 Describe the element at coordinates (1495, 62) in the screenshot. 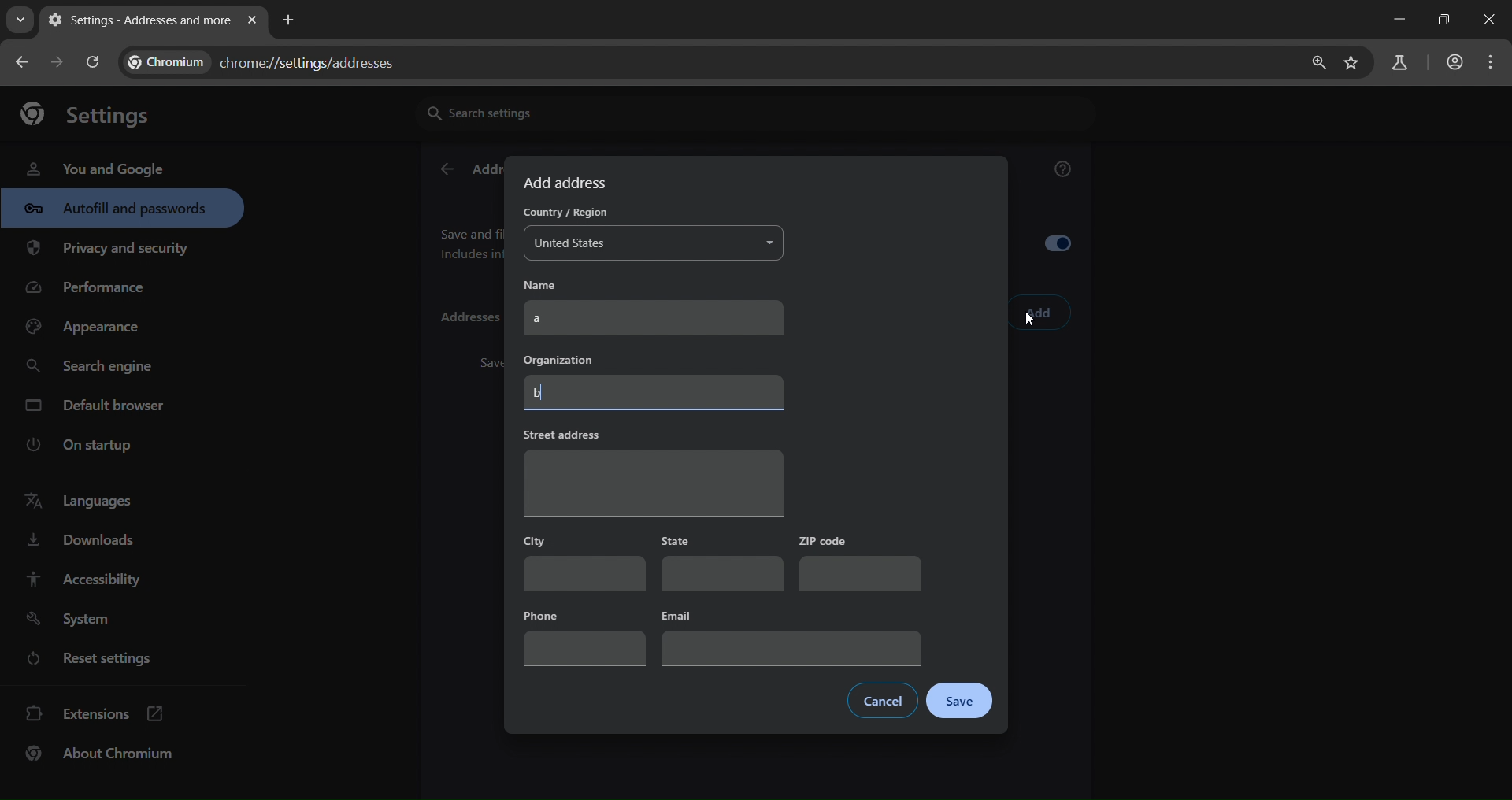

I see `menu` at that location.